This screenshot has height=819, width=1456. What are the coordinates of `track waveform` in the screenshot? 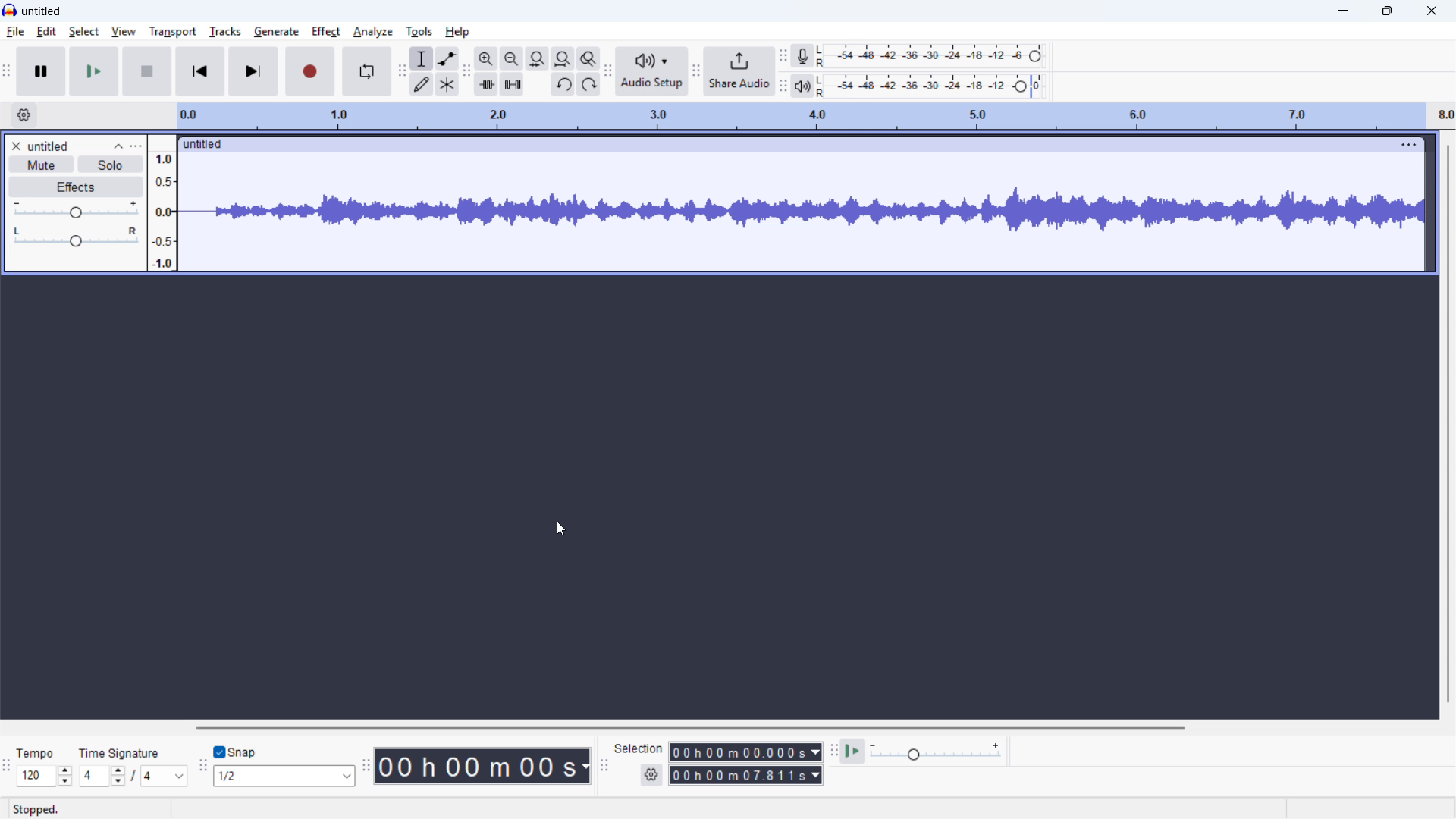 It's located at (802, 210).